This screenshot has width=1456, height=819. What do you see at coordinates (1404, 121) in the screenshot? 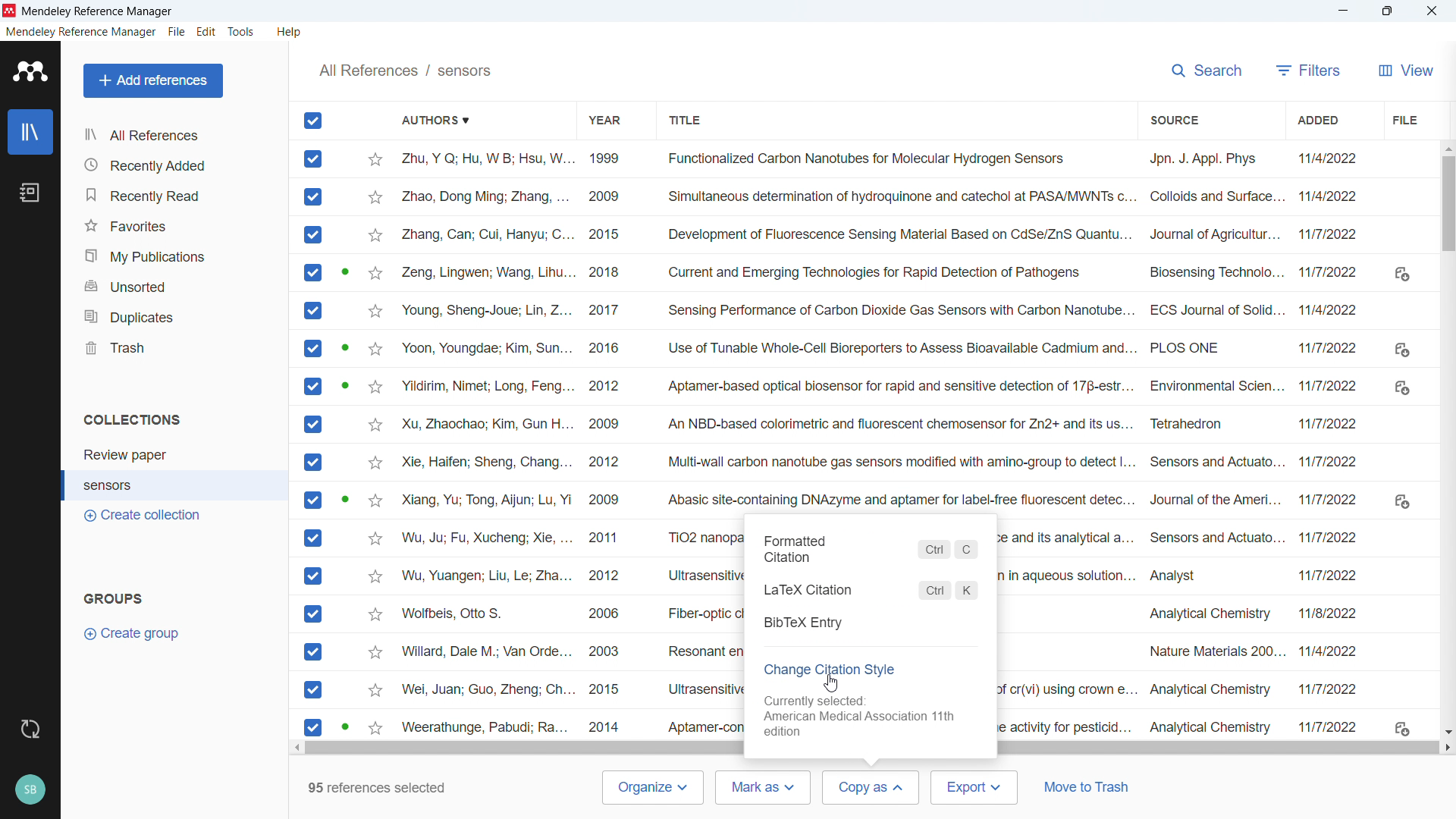
I see `File` at bounding box center [1404, 121].